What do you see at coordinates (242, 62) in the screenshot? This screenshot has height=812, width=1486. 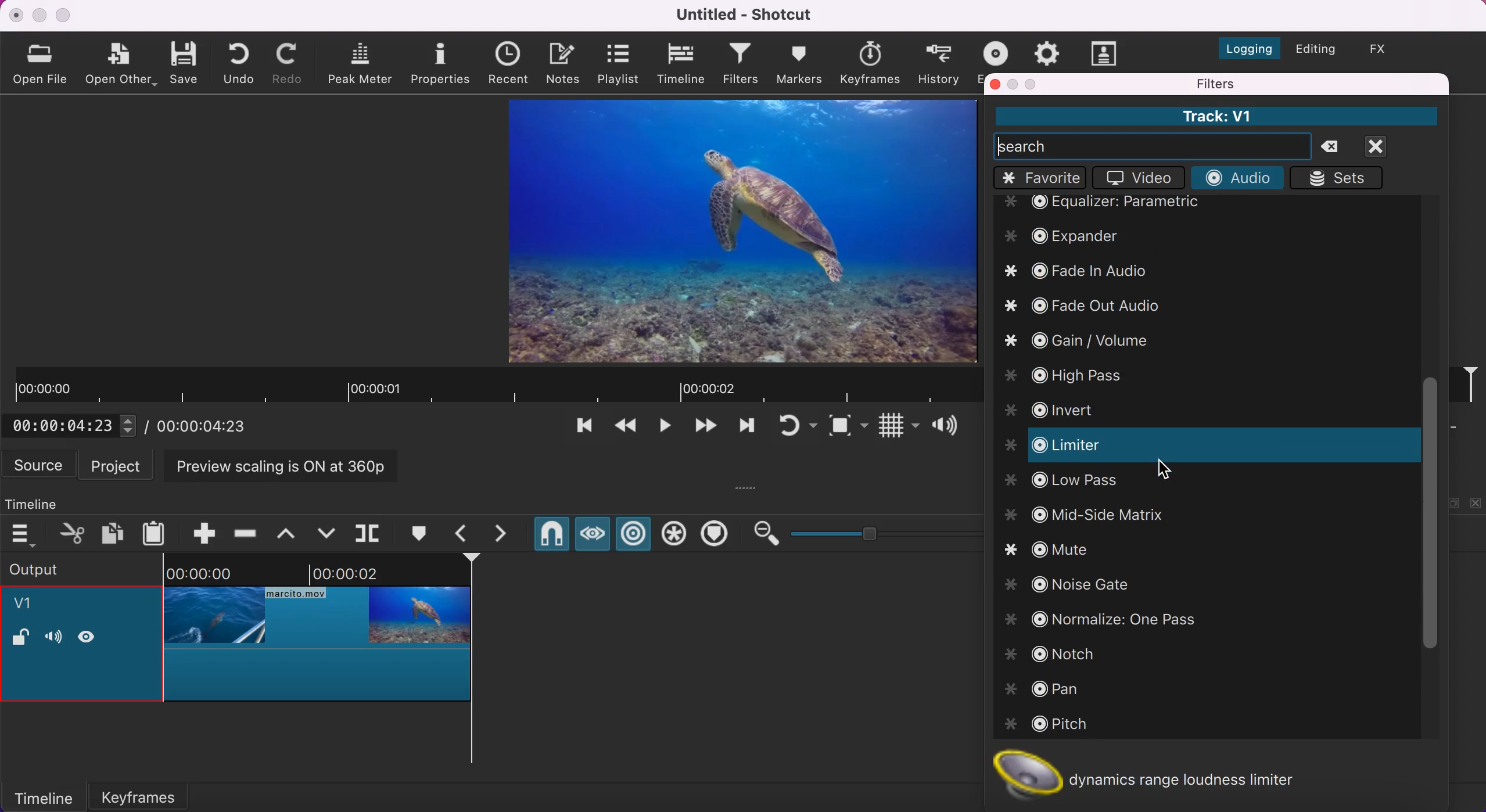 I see `undo` at bounding box center [242, 62].